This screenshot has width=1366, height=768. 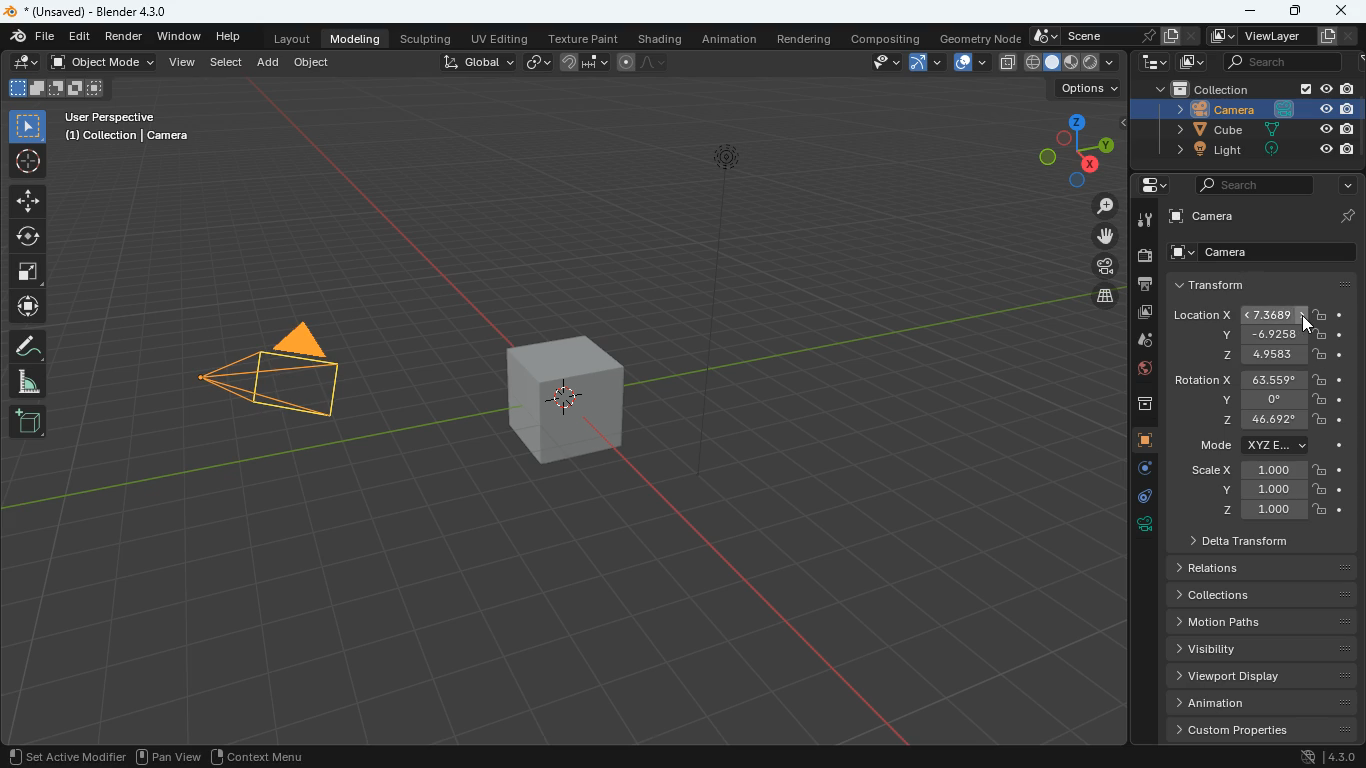 What do you see at coordinates (28, 419) in the screenshot?
I see `new` at bounding box center [28, 419].